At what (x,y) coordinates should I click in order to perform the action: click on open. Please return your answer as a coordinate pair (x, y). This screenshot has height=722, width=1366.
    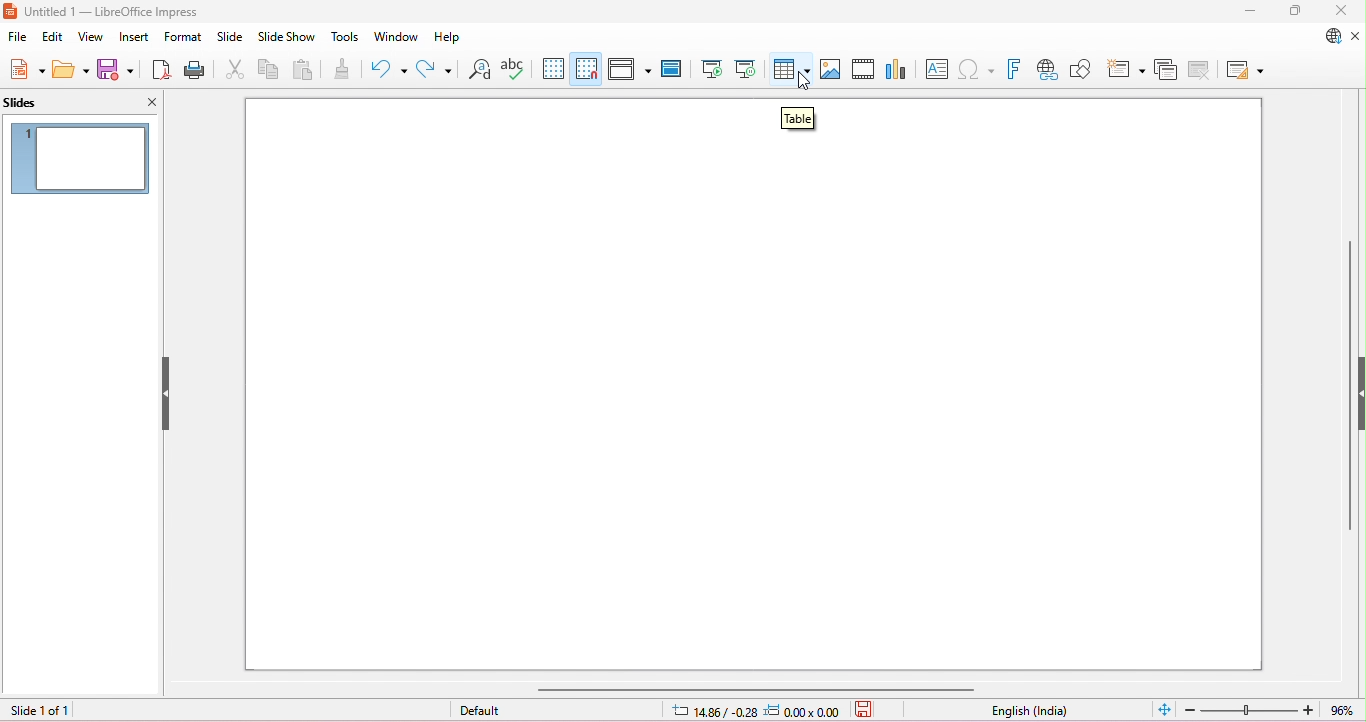
    Looking at the image, I should click on (71, 69).